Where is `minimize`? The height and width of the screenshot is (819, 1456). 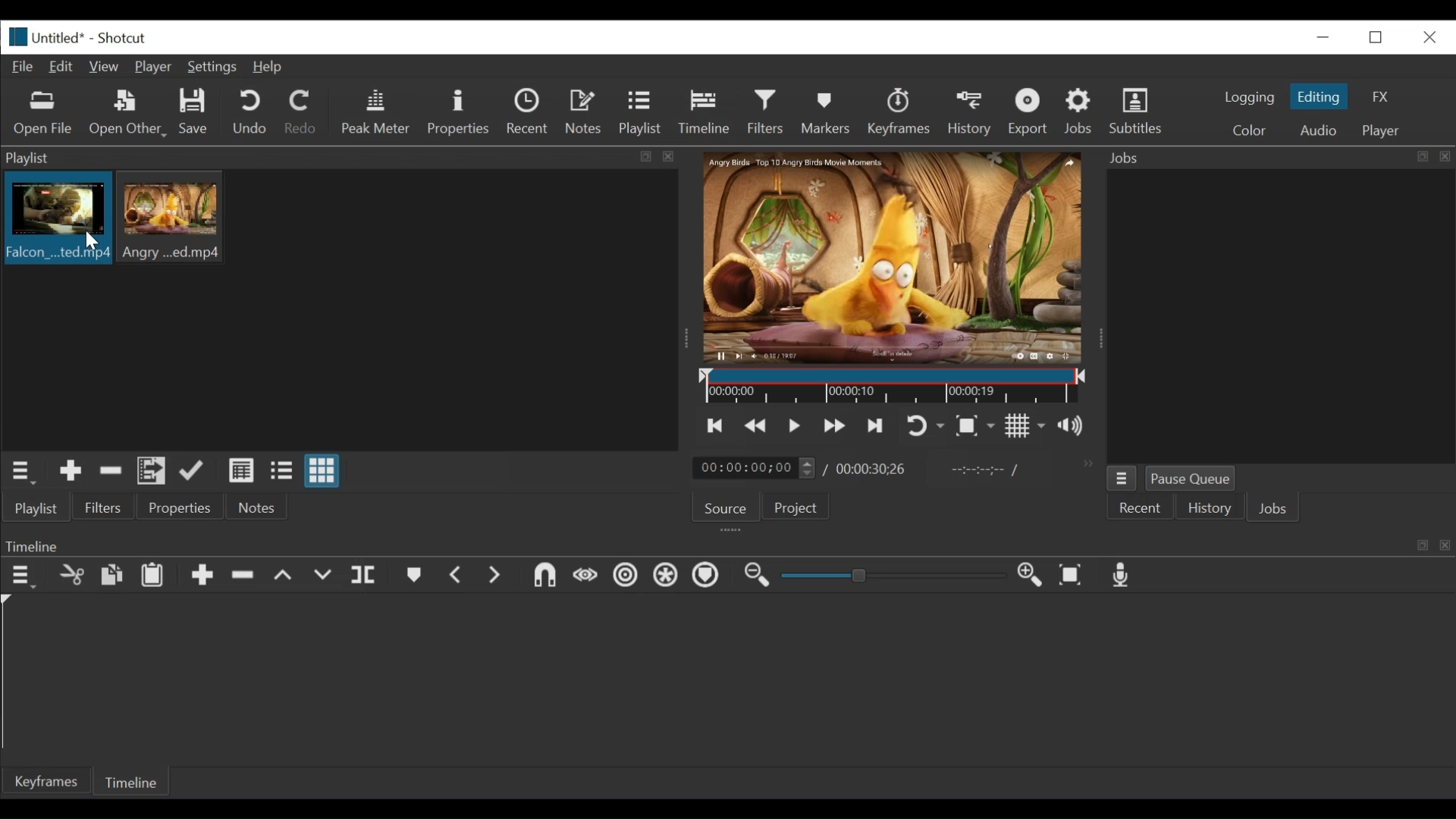
minimize is located at coordinates (1323, 36).